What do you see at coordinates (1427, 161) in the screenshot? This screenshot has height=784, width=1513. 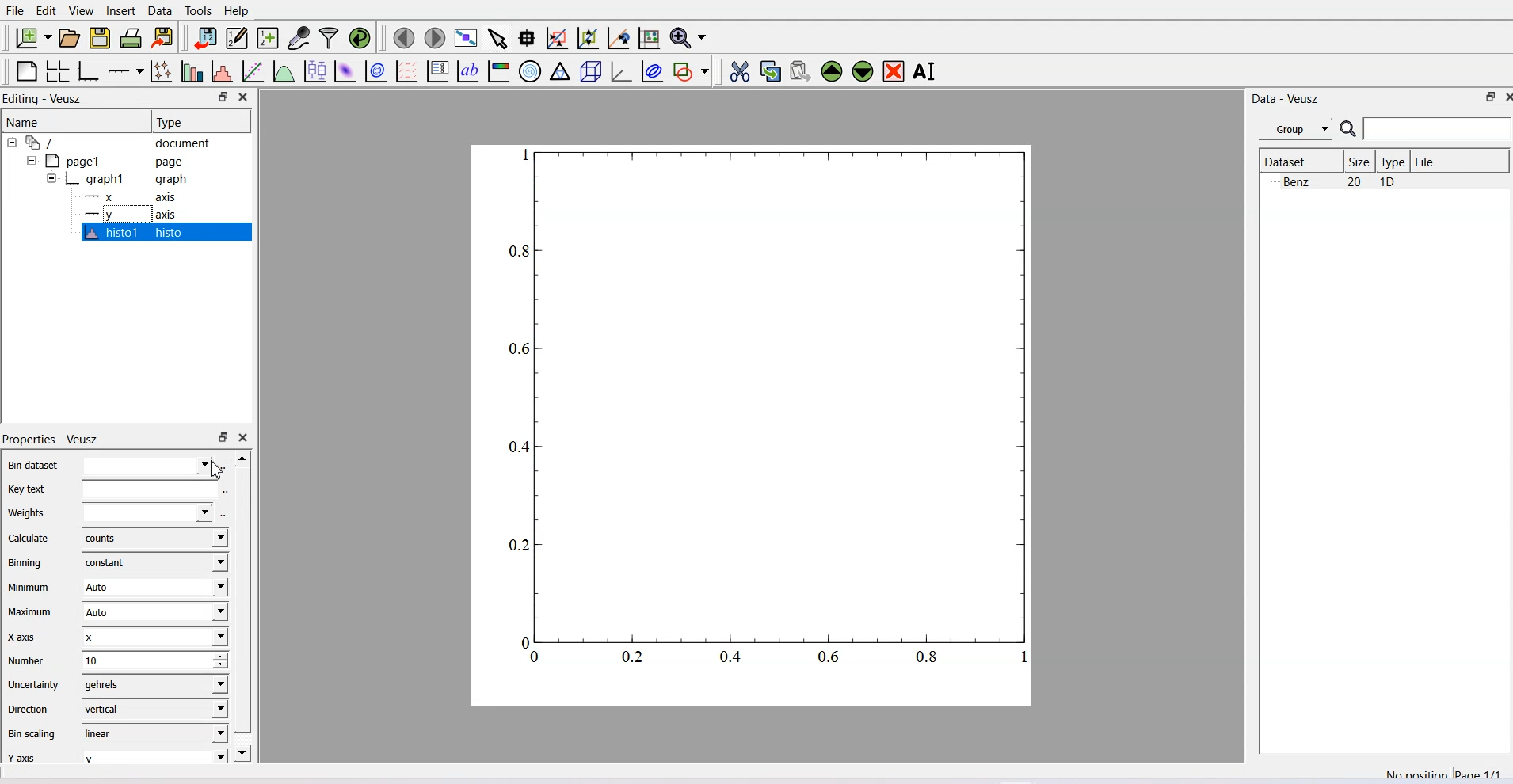 I see `File` at bounding box center [1427, 161].